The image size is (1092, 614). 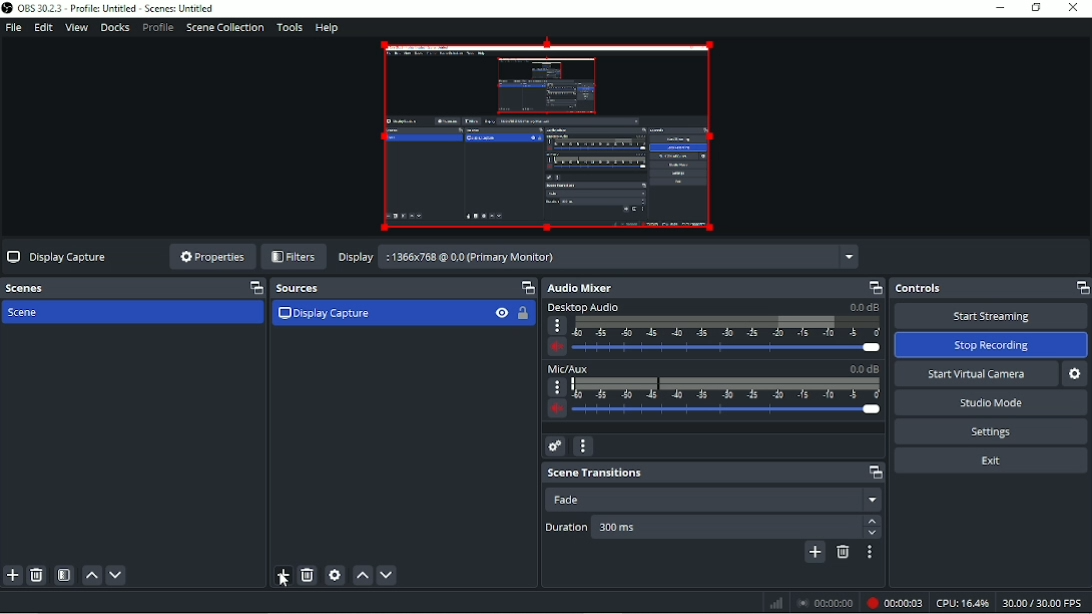 I want to click on Scene, so click(x=40, y=312).